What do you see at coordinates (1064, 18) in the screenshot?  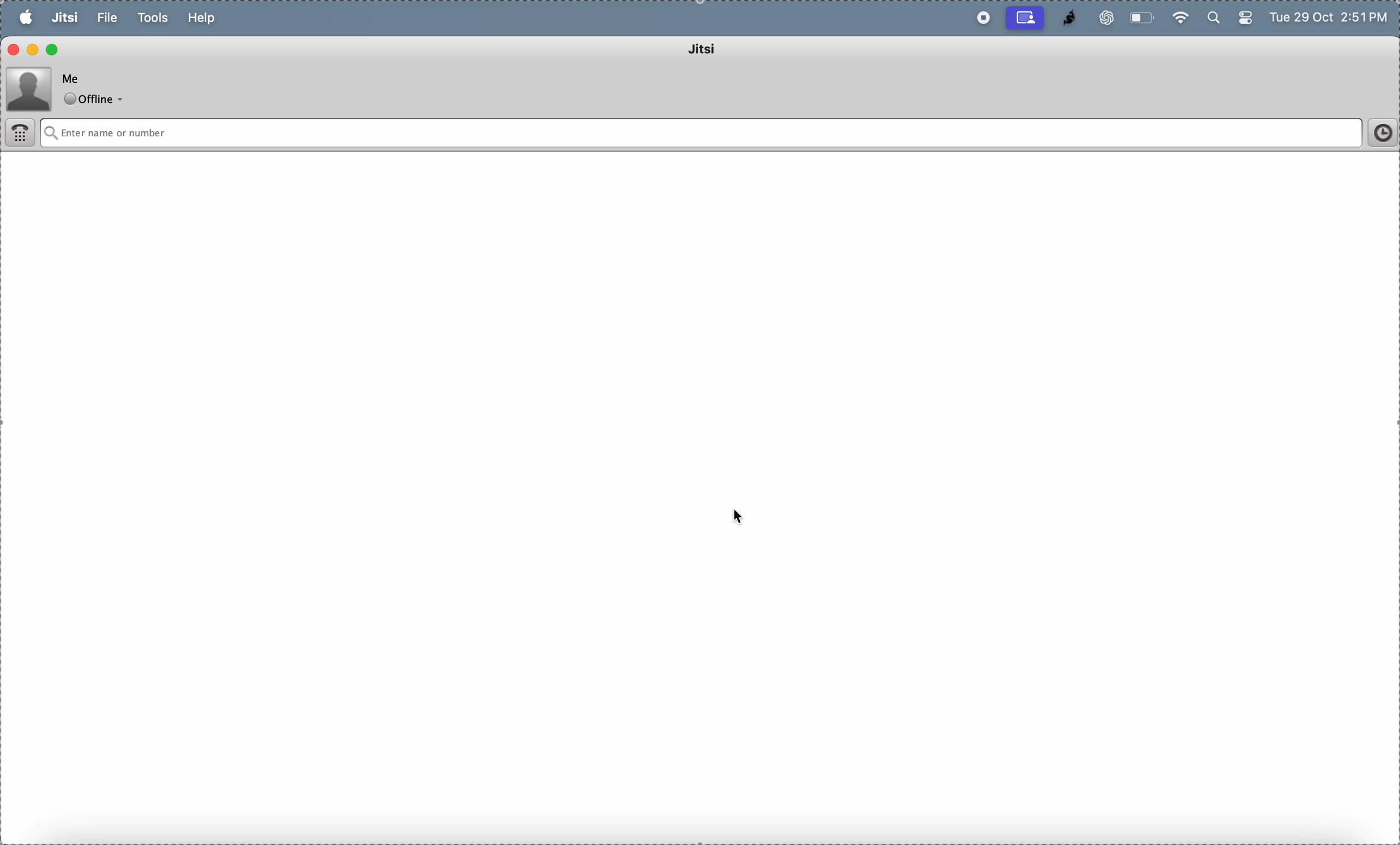 I see `jitsi` at bounding box center [1064, 18].